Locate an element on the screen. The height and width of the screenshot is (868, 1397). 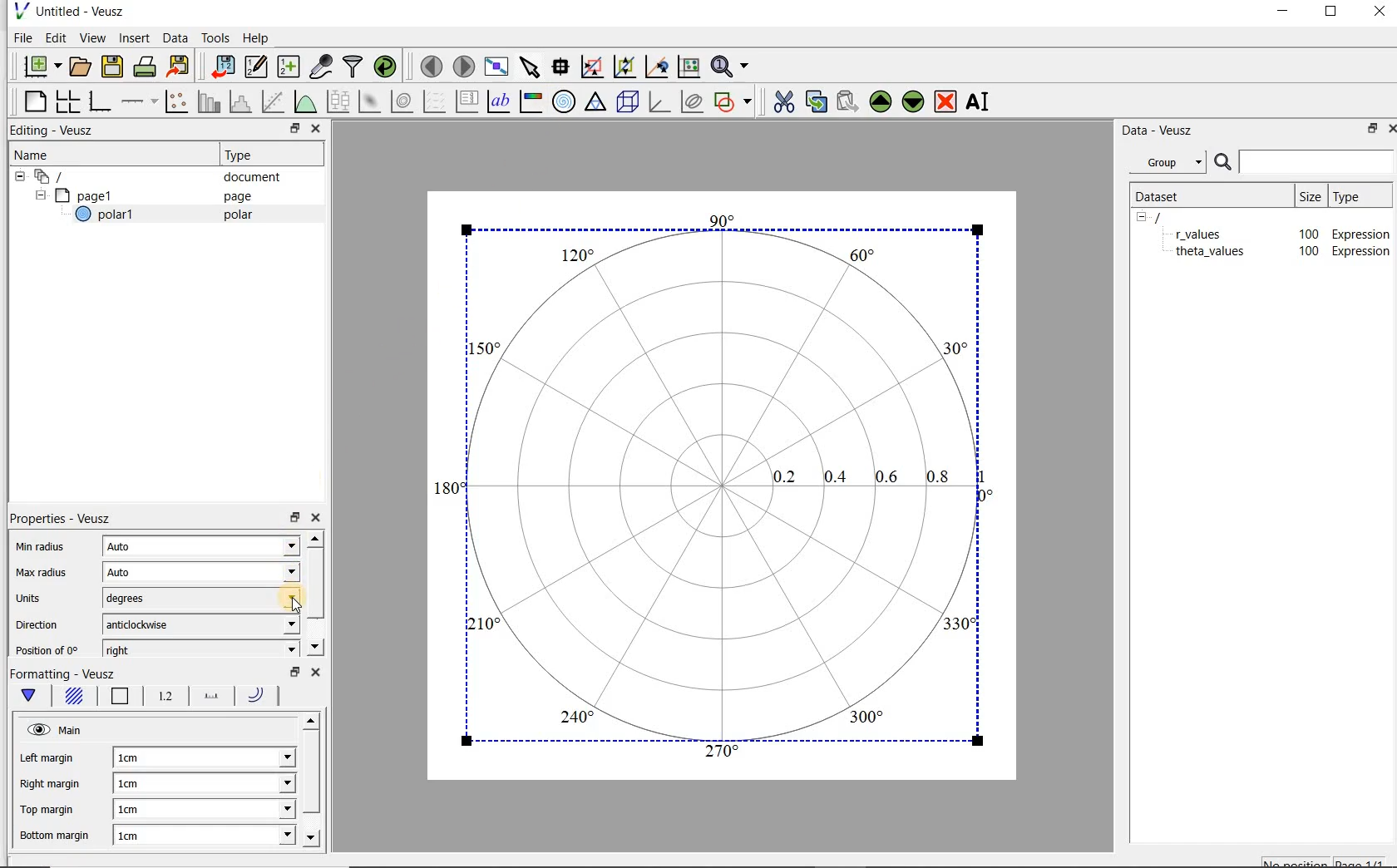
plot bar charts is located at coordinates (210, 101).